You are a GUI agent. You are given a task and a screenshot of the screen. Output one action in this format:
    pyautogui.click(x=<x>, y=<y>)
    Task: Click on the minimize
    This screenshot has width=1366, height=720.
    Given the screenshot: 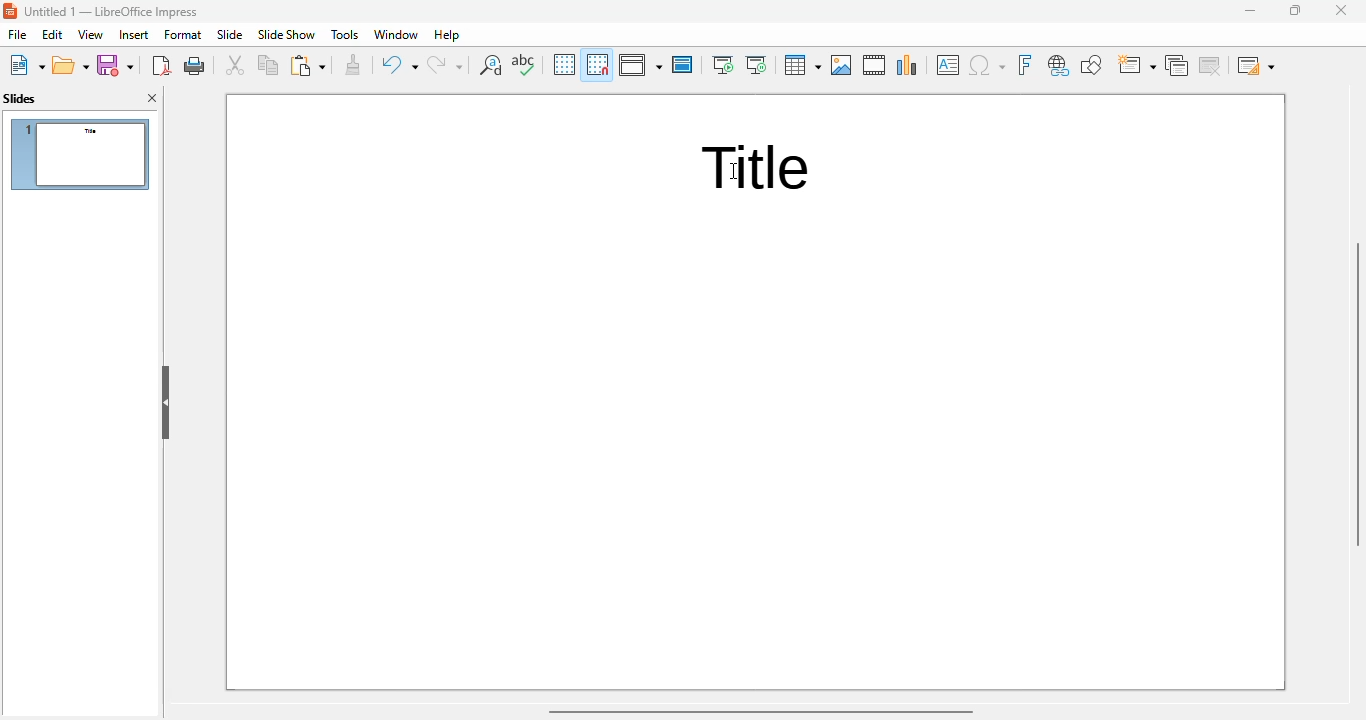 What is the action you would take?
    pyautogui.click(x=1250, y=11)
    